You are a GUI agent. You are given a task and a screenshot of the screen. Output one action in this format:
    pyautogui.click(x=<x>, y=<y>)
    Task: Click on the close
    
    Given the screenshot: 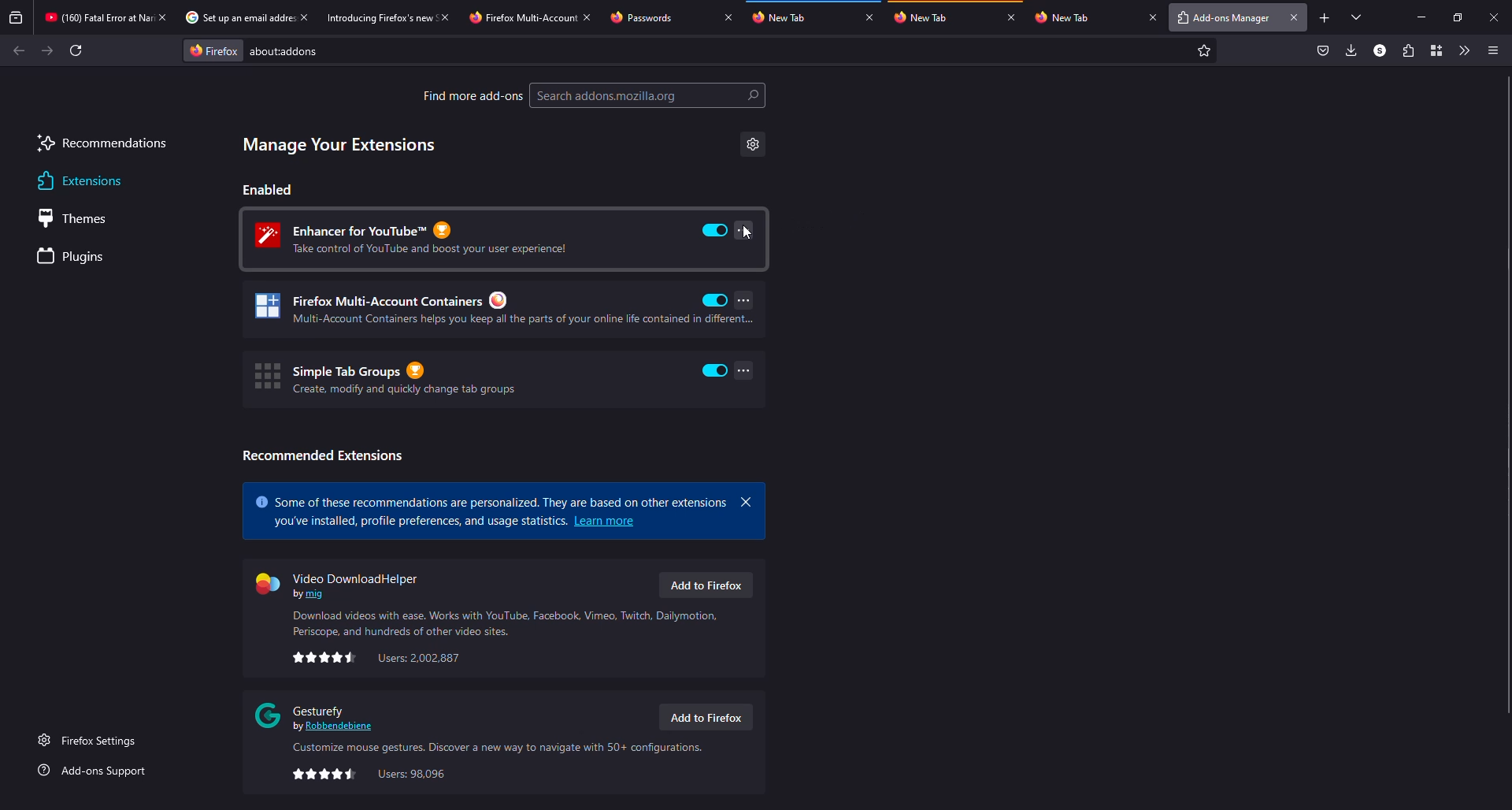 What is the action you would take?
    pyautogui.click(x=728, y=17)
    